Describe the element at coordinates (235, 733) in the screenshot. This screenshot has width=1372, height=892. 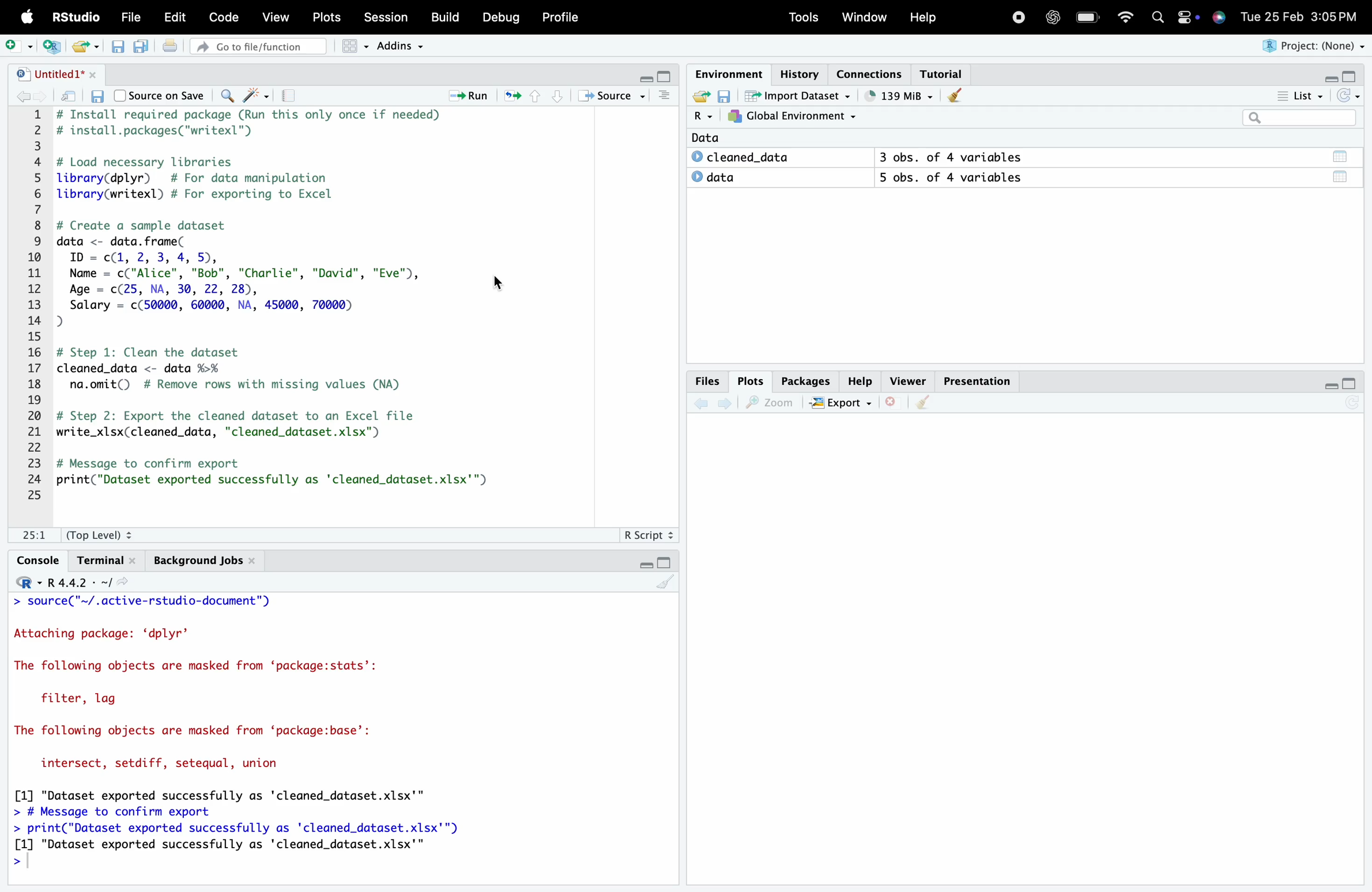
I see `> source( ~/.active-rstudio-aocument )

Attaching package: ‘dplyr’

The following objects are masked from ‘package:stats’:
filter, lag

The following objects are masked from ‘package:base’:
intersect, setdiff, setequal, union

[1] "Dataset exported successfully as 'cleaned_dataset.xlsx'"

> # Message to confirm export

> print("Dataset exported successfully as 'cleaned_dataset.xlsx'")

[1] "Dataset exported successfully as 'cleaned_dataset.xlsx'"

>` at that location.